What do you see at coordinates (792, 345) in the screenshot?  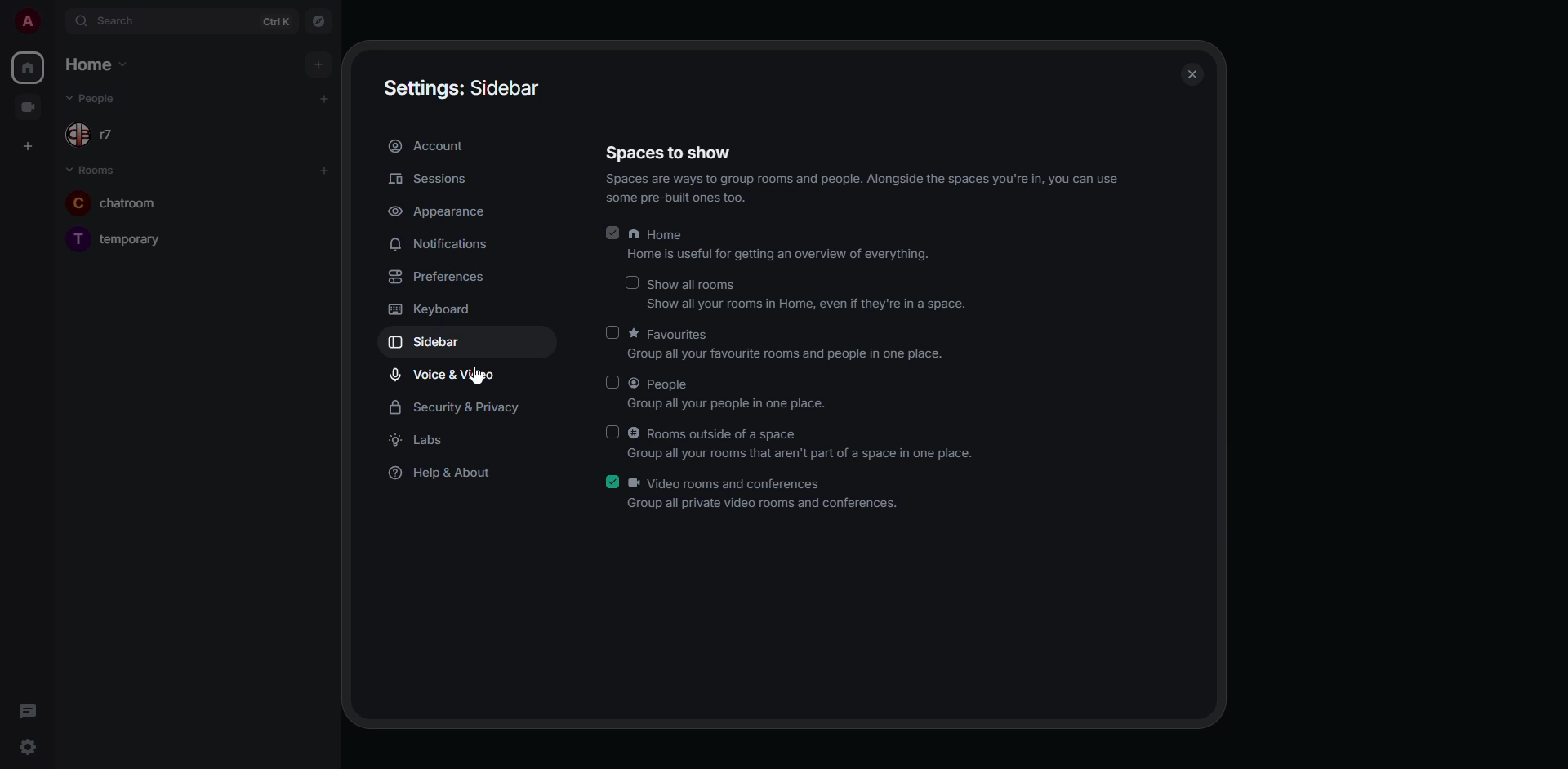 I see `favorites` at bounding box center [792, 345].